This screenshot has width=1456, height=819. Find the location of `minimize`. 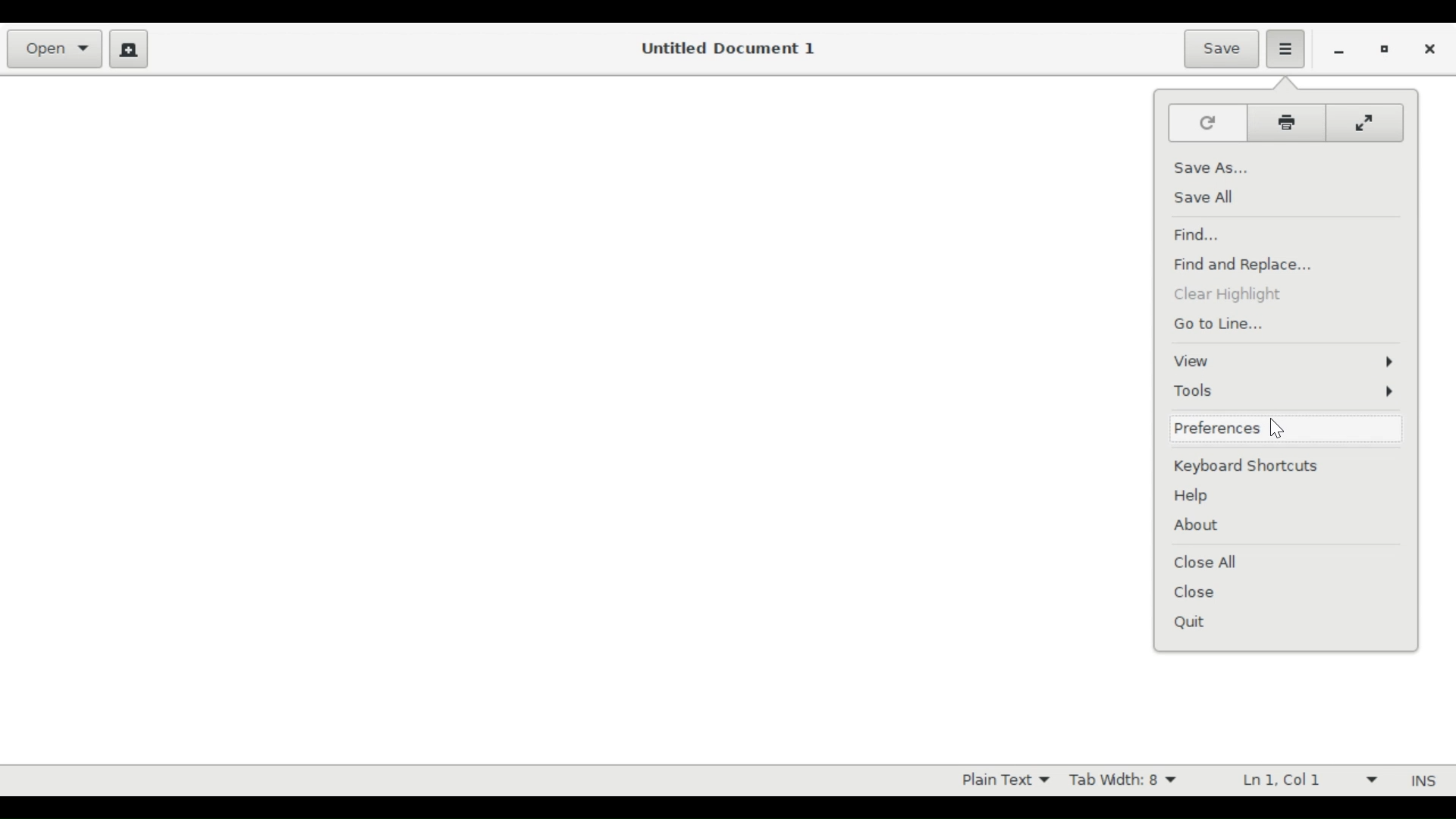

minimize is located at coordinates (1338, 52).